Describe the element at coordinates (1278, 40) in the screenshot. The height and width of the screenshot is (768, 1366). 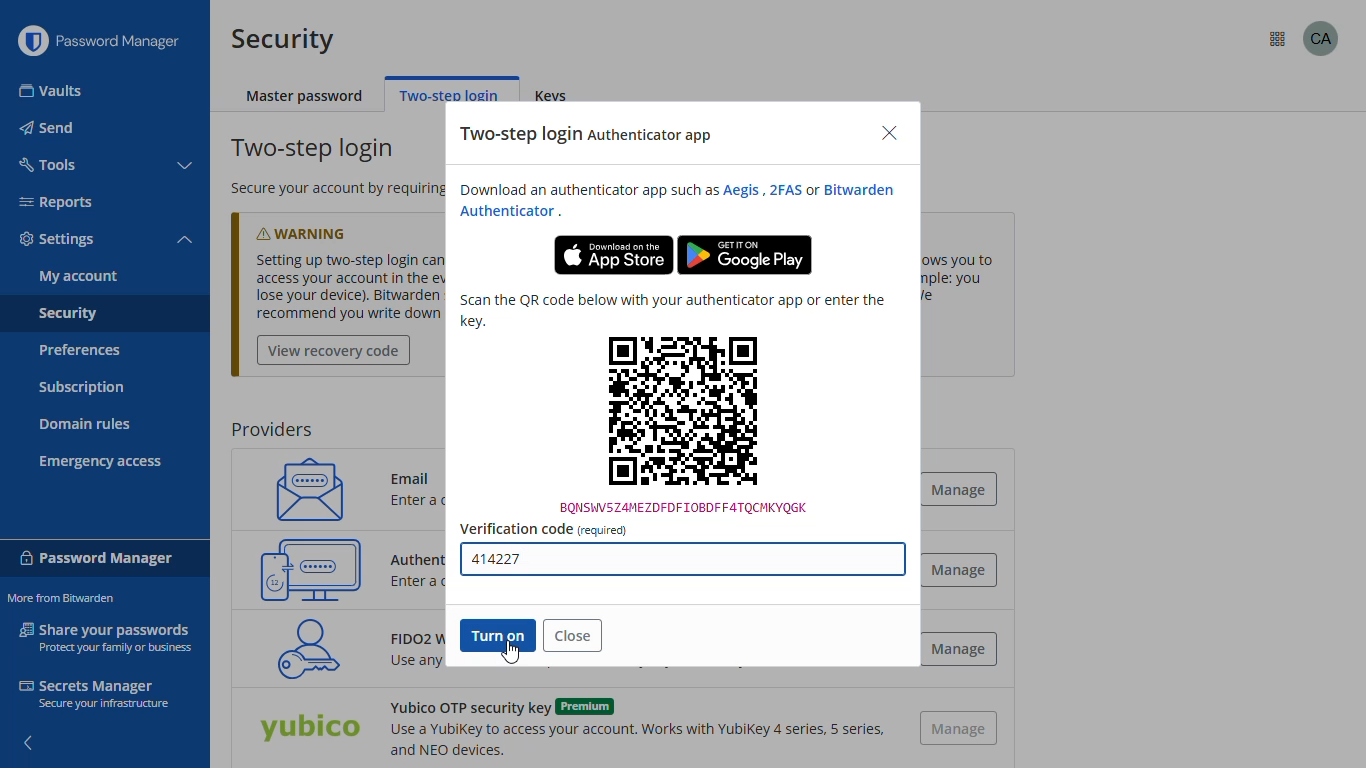
I see `more from bitwarden` at that location.